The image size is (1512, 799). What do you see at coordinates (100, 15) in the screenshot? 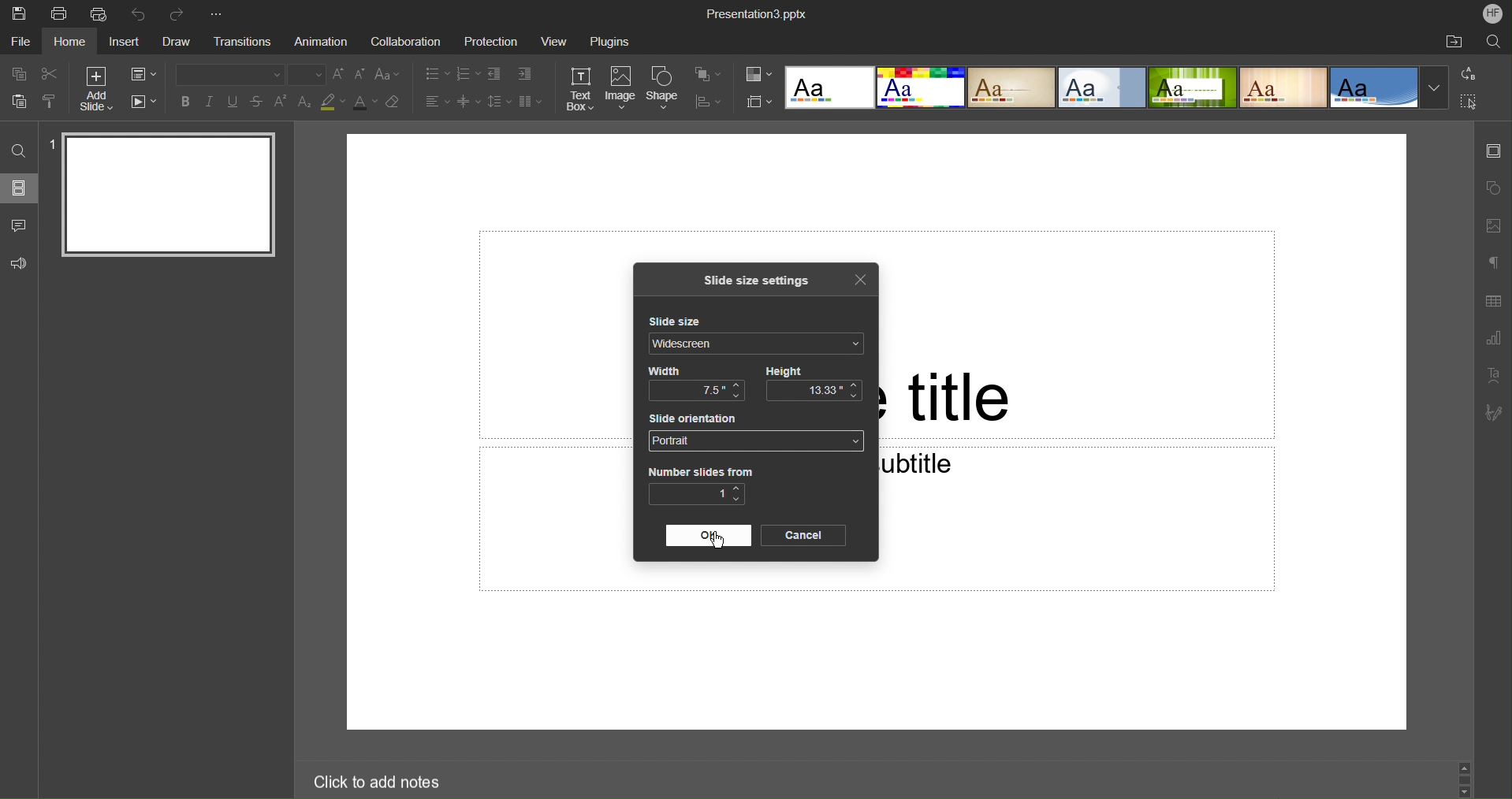
I see `Quick Print` at bounding box center [100, 15].